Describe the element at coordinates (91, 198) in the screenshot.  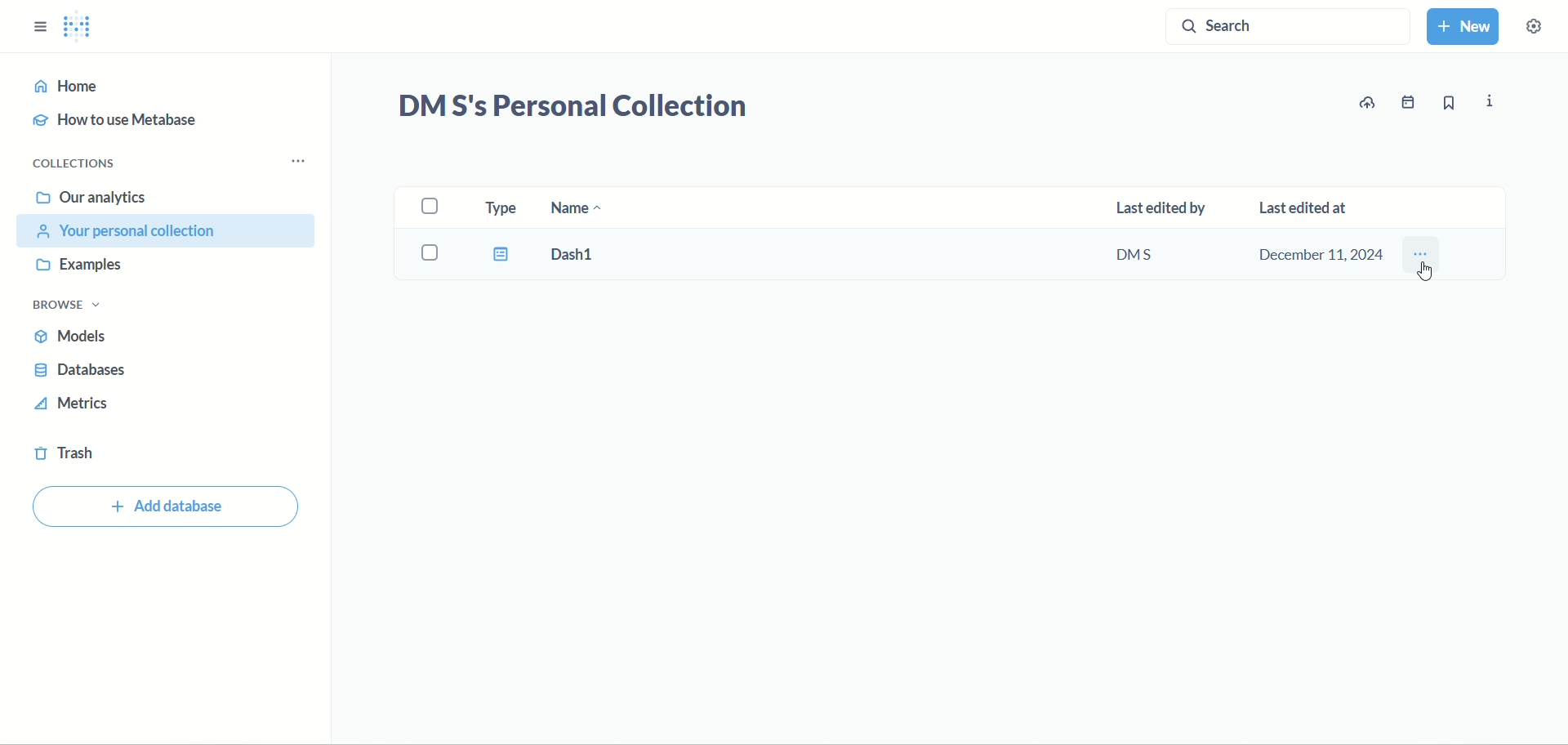
I see `our analytics` at that location.